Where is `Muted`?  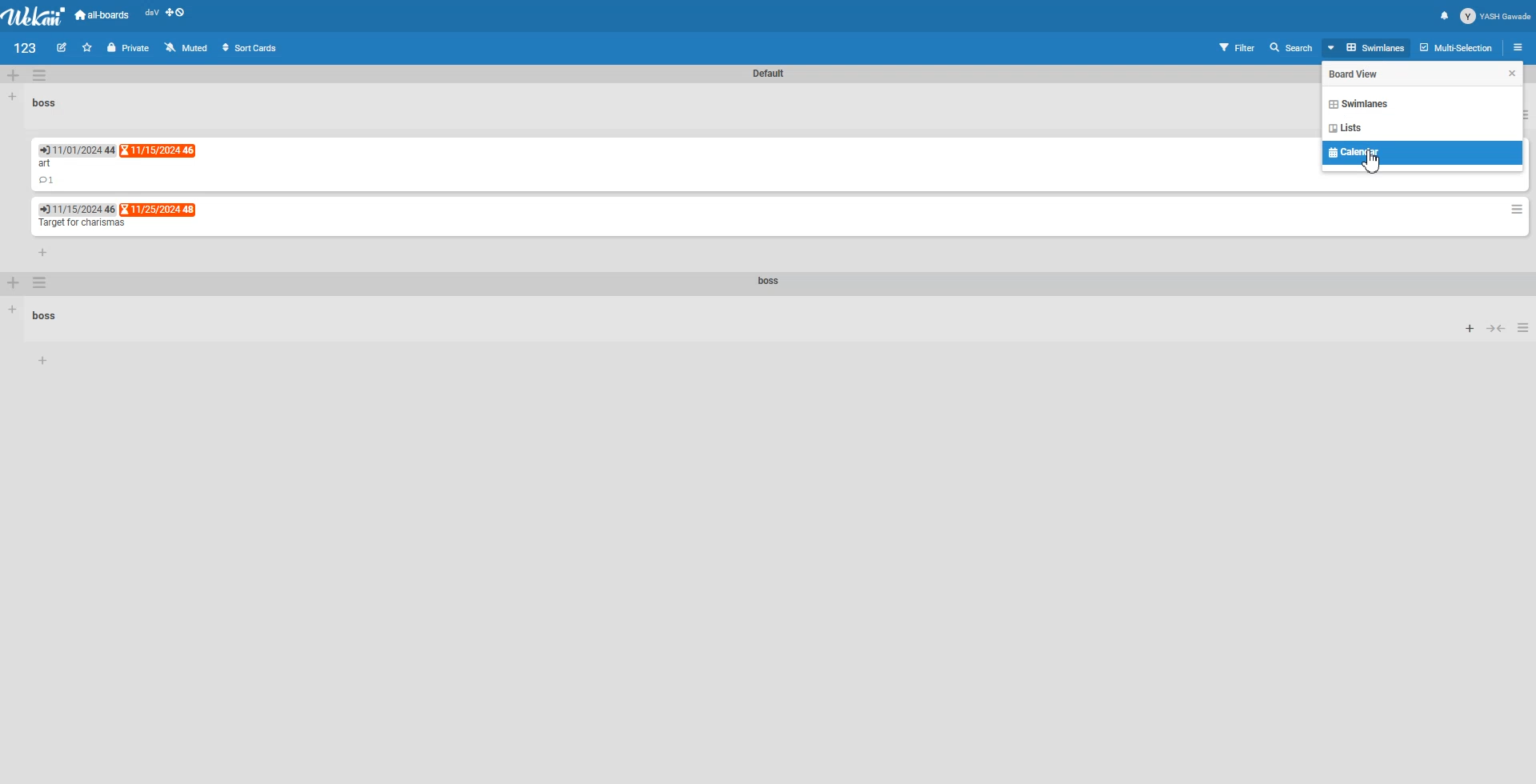
Muted is located at coordinates (187, 46).